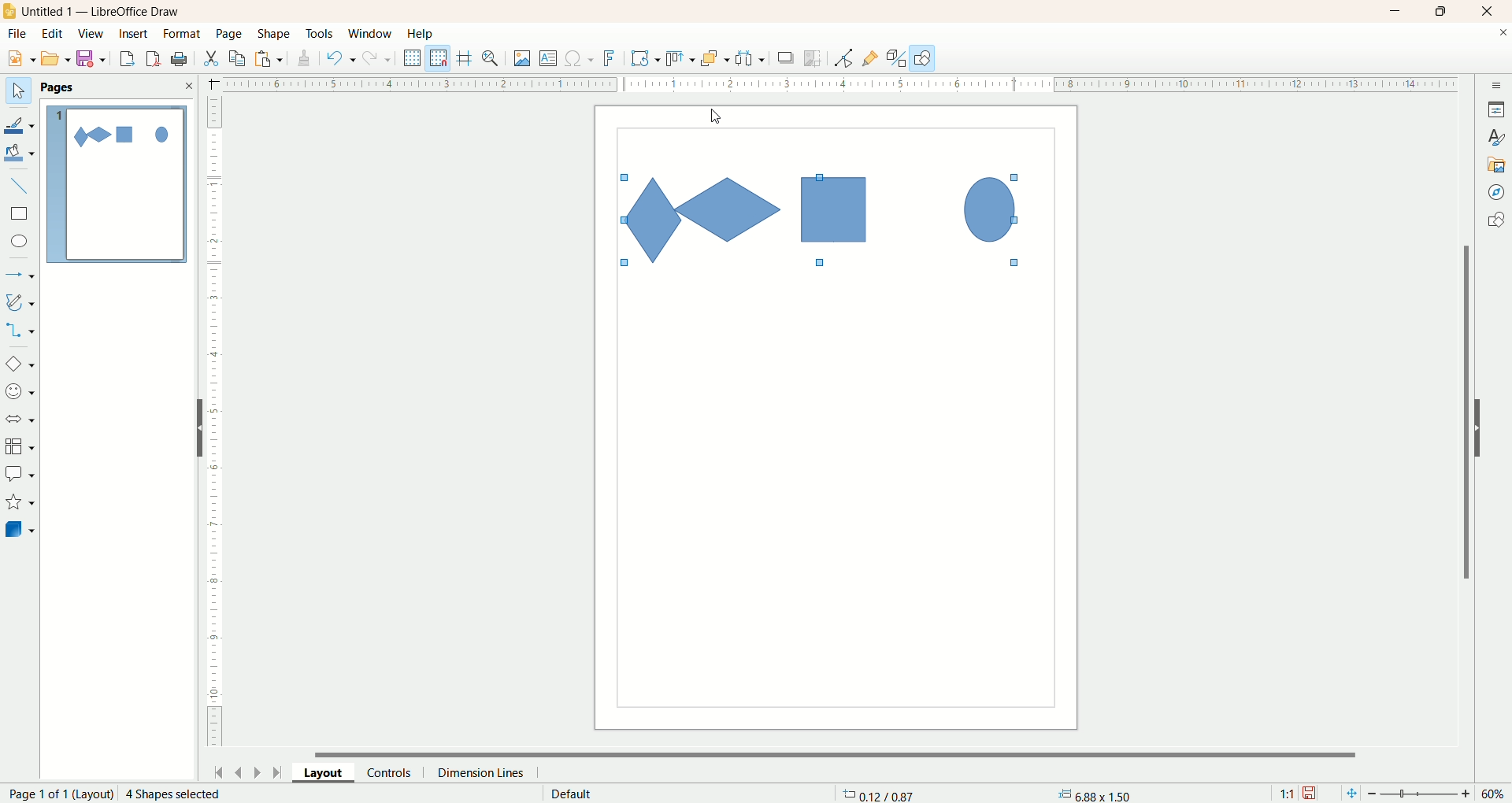 Image resolution: width=1512 pixels, height=803 pixels. What do you see at coordinates (216, 770) in the screenshot?
I see `first page` at bounding box center [216, 770].